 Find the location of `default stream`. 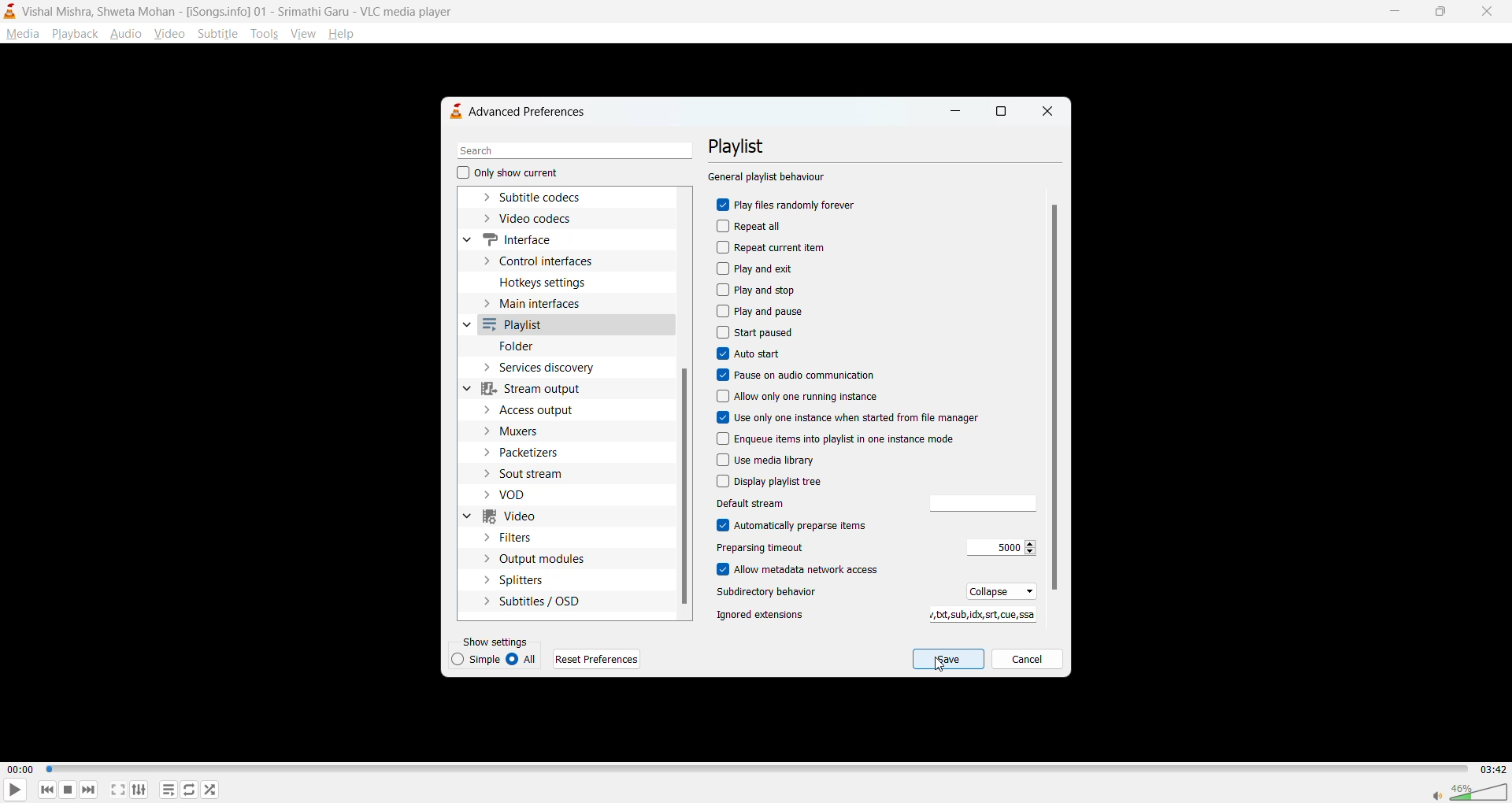

default stream is located at coordinates (977, 504).